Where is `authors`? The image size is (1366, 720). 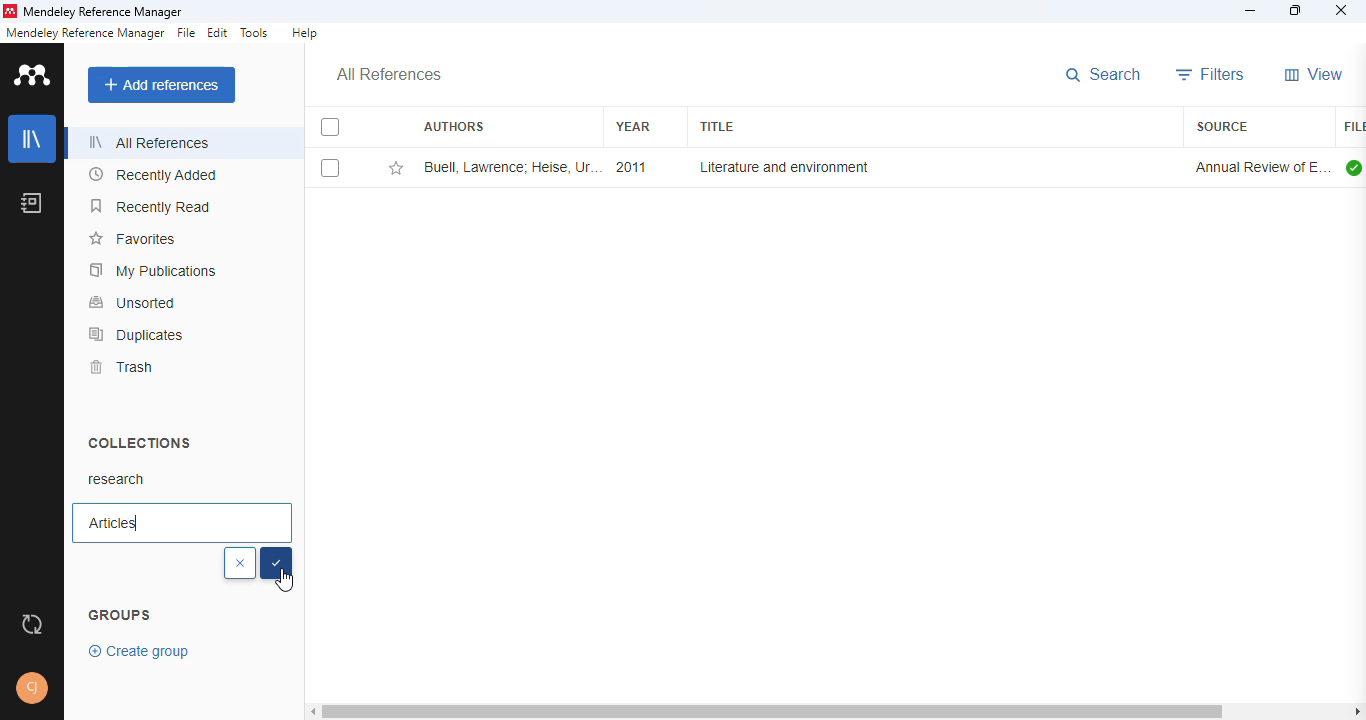
authors is located at coordinates (453, 125).